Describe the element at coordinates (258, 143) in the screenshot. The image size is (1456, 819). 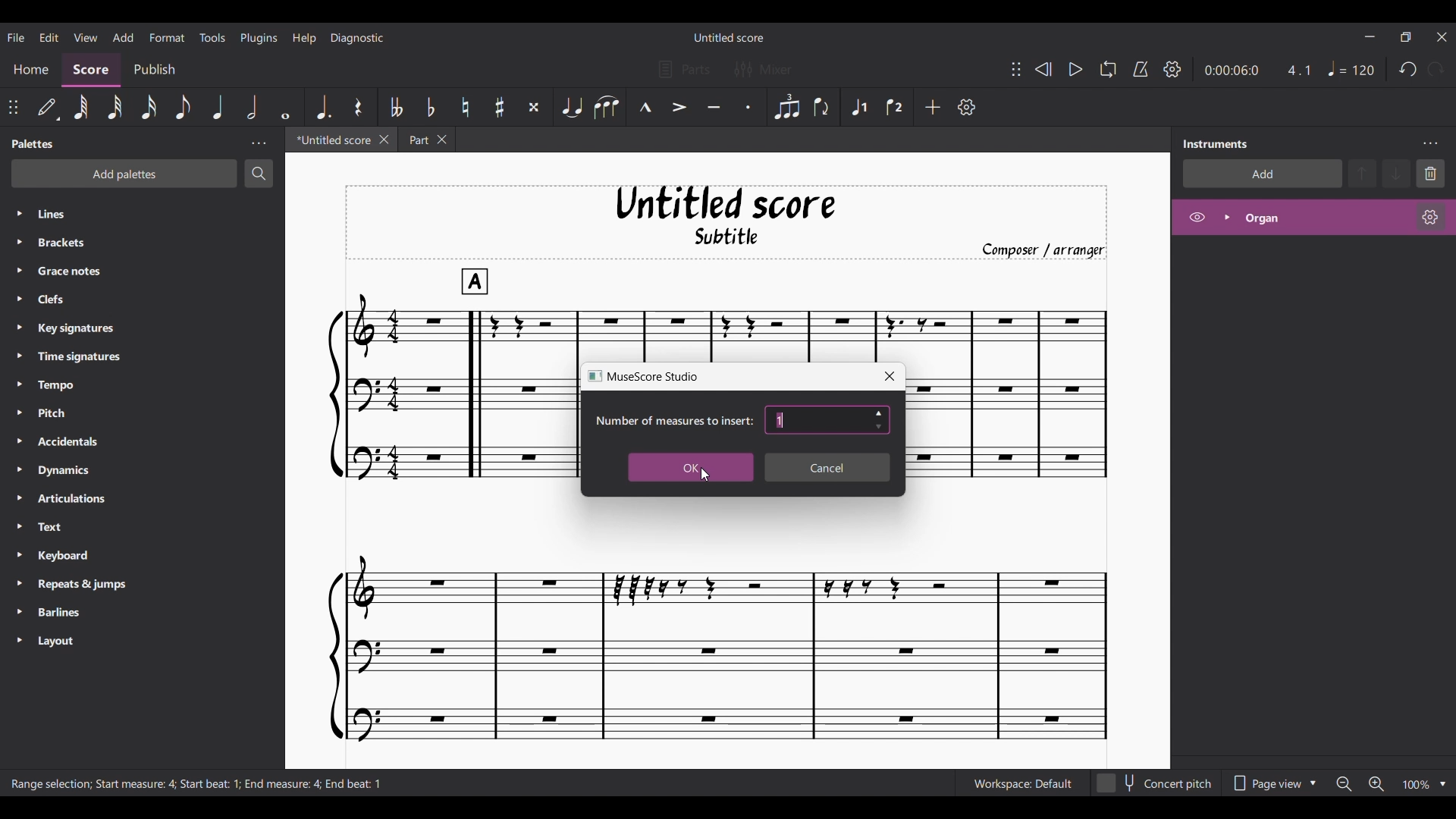
I see `Palette settings` at that location.